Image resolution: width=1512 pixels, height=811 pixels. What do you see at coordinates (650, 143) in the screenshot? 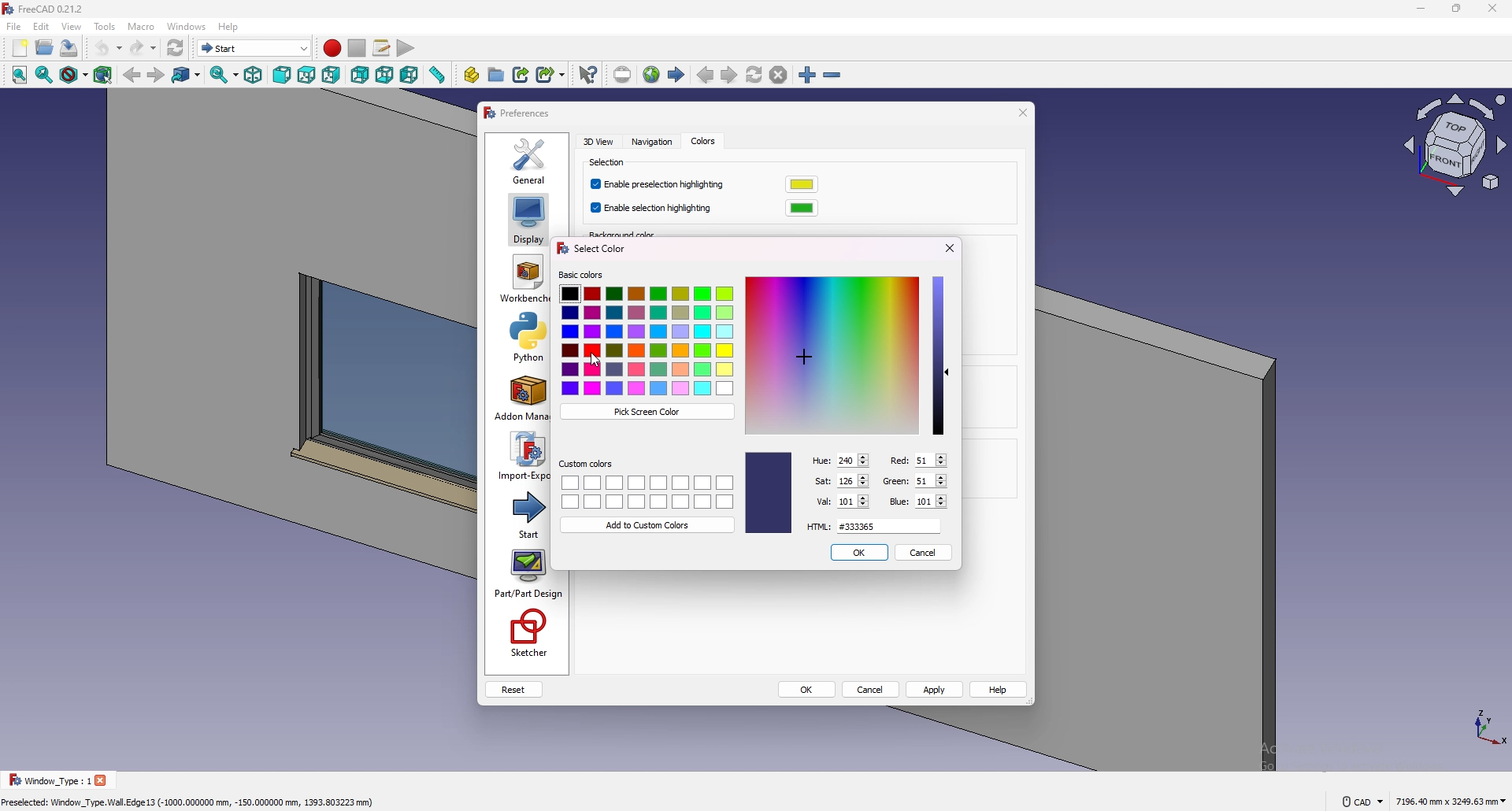
I see `navigation` at bounding box center [650, 143].